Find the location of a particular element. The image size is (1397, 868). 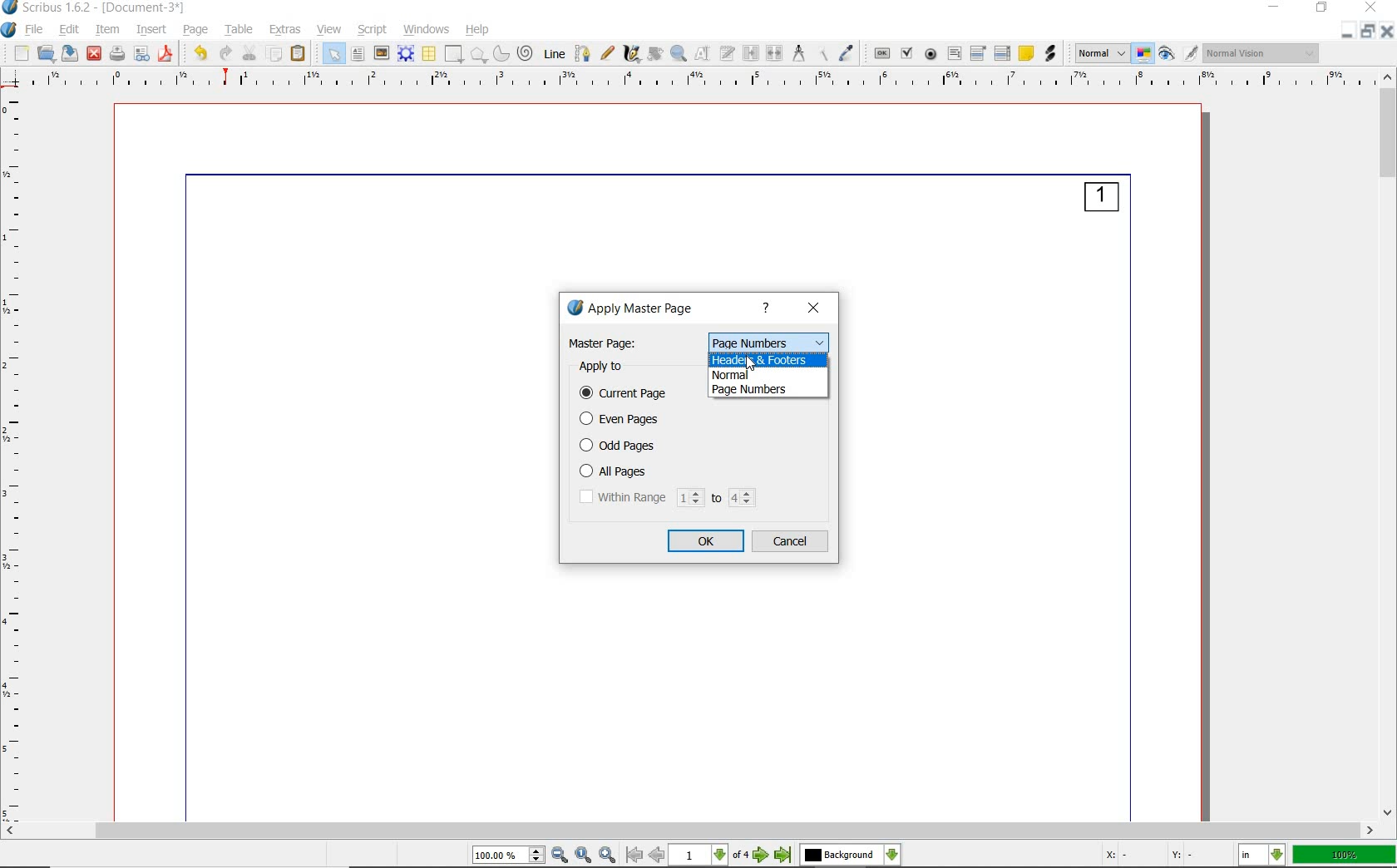

preview mode is located at coordinates (1180, 52).